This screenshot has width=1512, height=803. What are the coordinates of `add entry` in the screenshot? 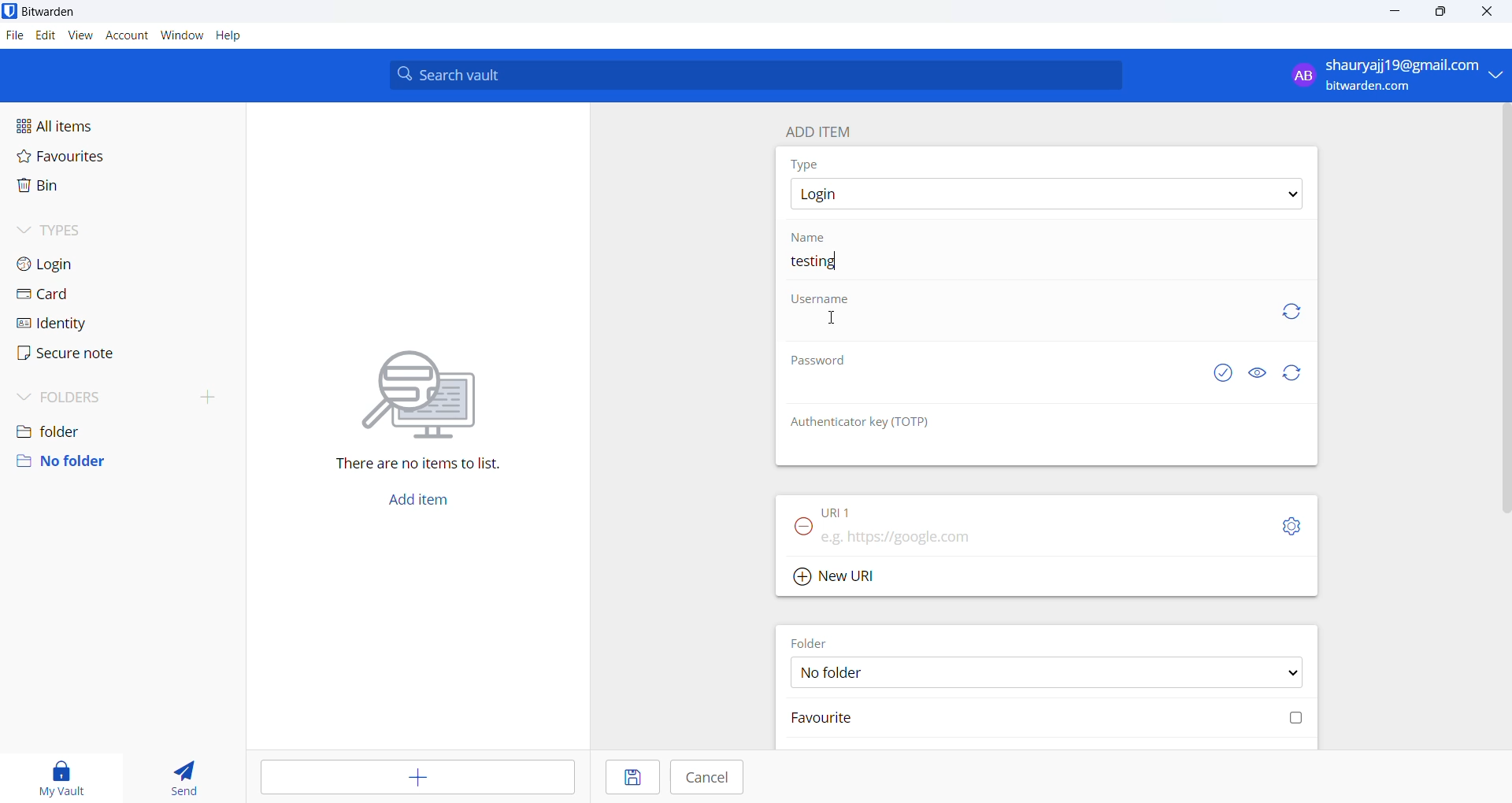 It's located at (414, 775).